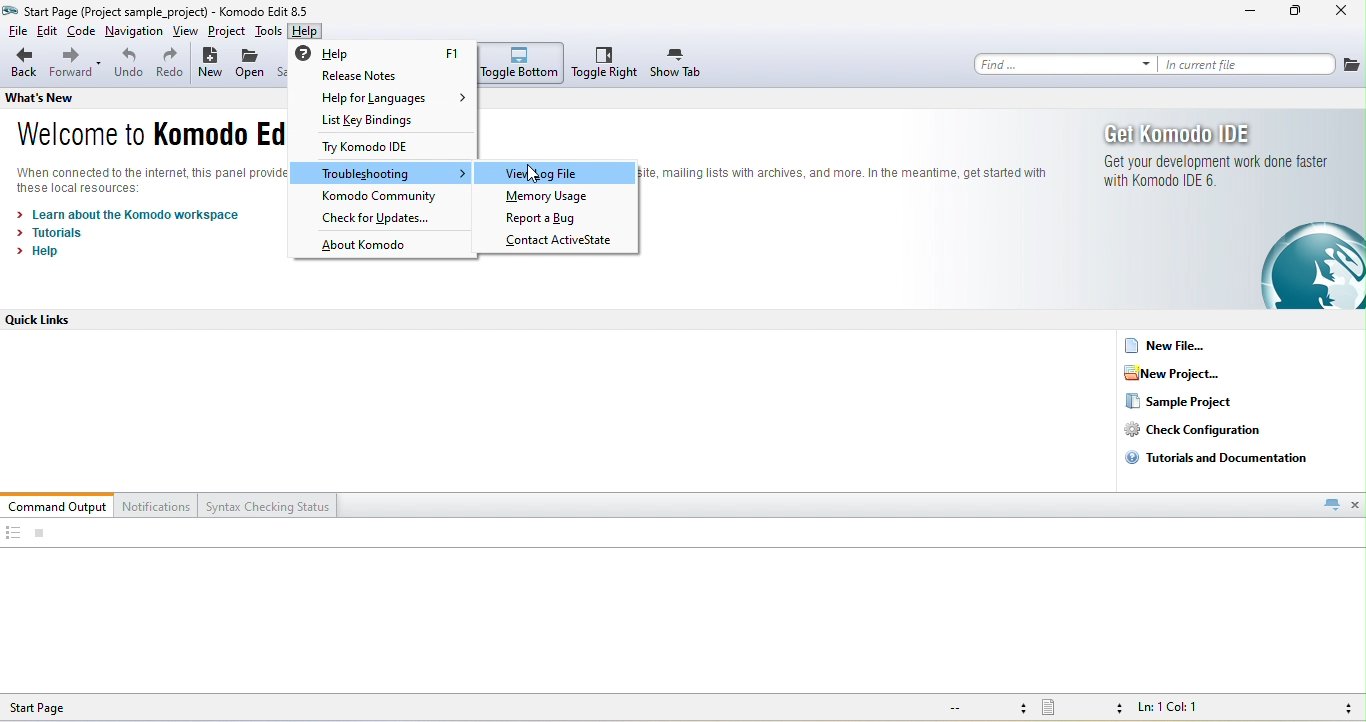  I want to click on code, so click(82, 33).